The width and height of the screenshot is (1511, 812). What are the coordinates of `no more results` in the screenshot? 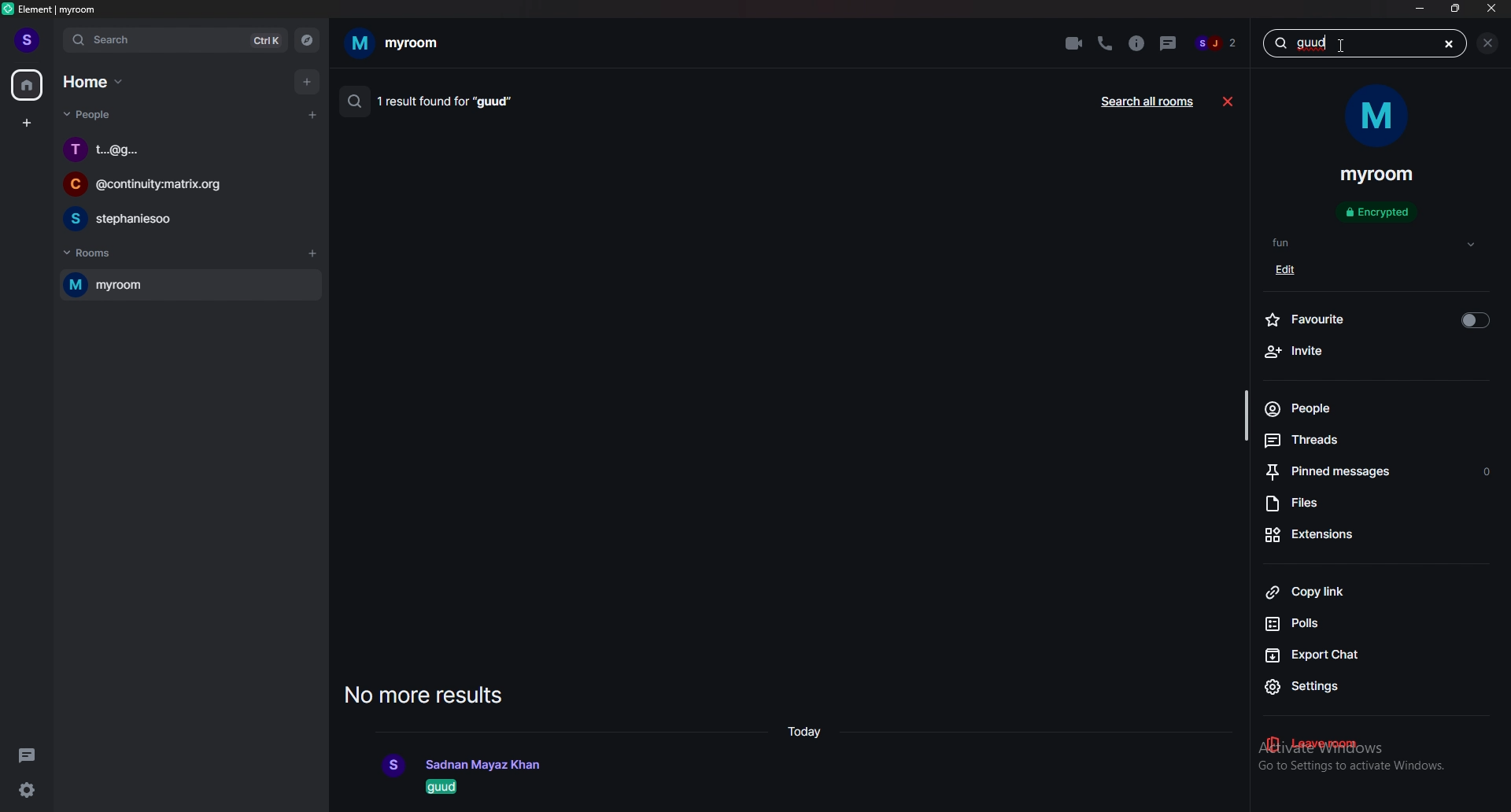 It's located at (432, 694).